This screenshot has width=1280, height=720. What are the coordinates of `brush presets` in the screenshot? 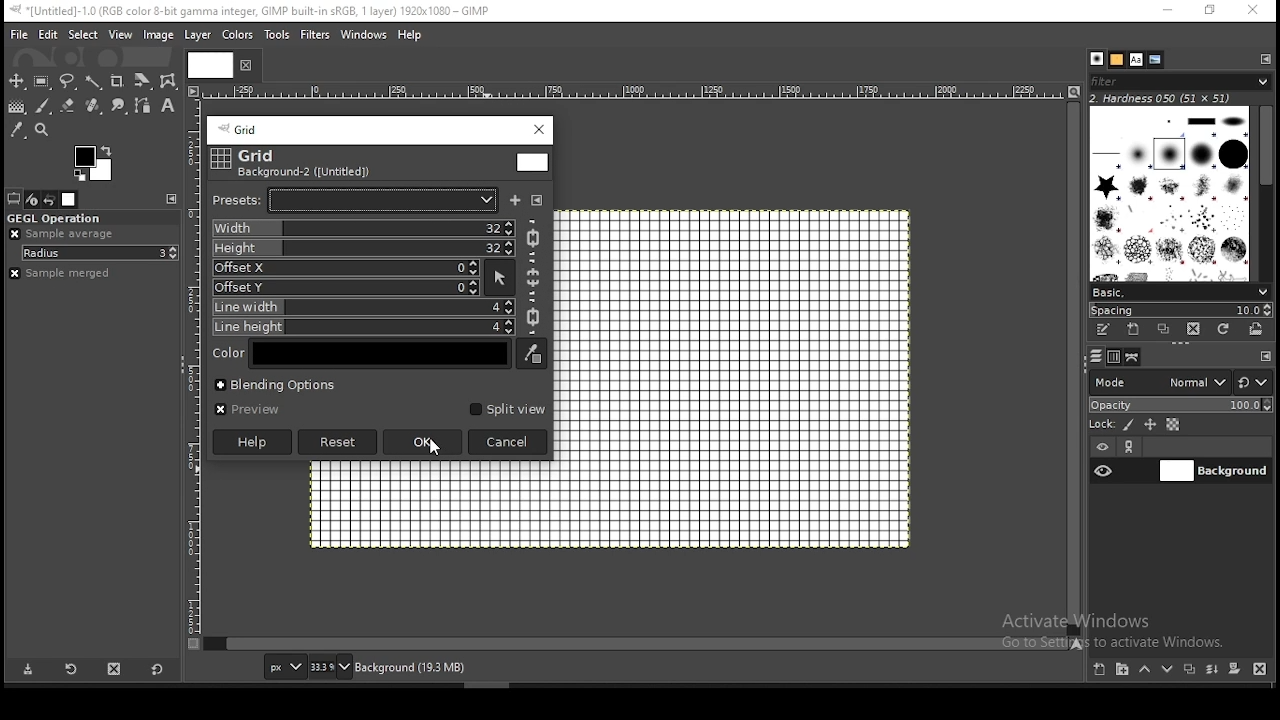 It's located at (1180, 293).